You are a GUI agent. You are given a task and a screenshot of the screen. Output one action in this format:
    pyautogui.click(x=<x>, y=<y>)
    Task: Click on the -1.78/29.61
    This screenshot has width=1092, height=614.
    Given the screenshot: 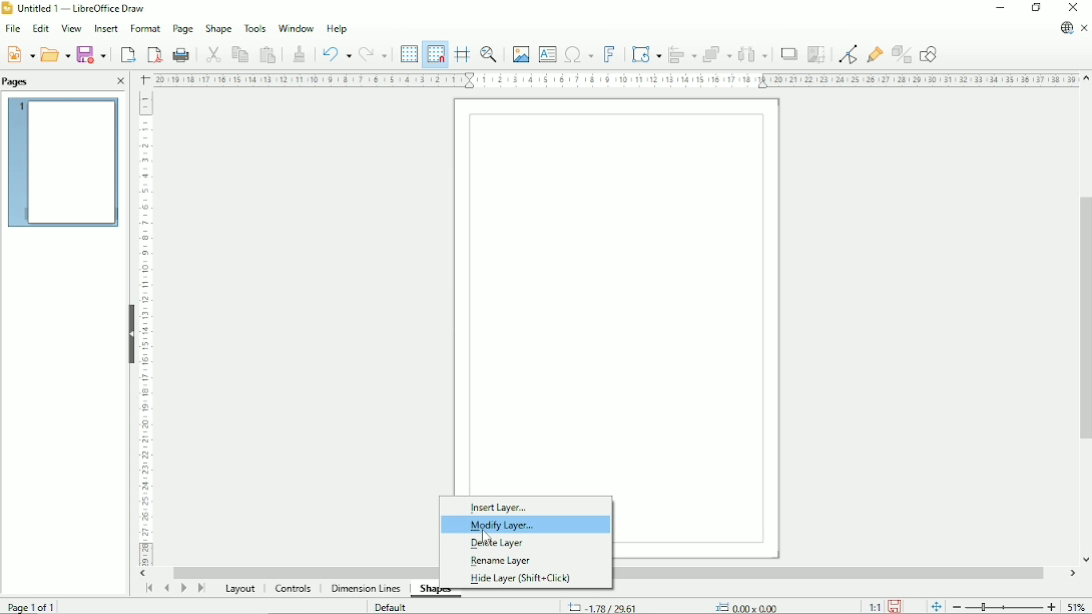 What is the action you would take?
    pyautogui.click(x=612, y=606)
    